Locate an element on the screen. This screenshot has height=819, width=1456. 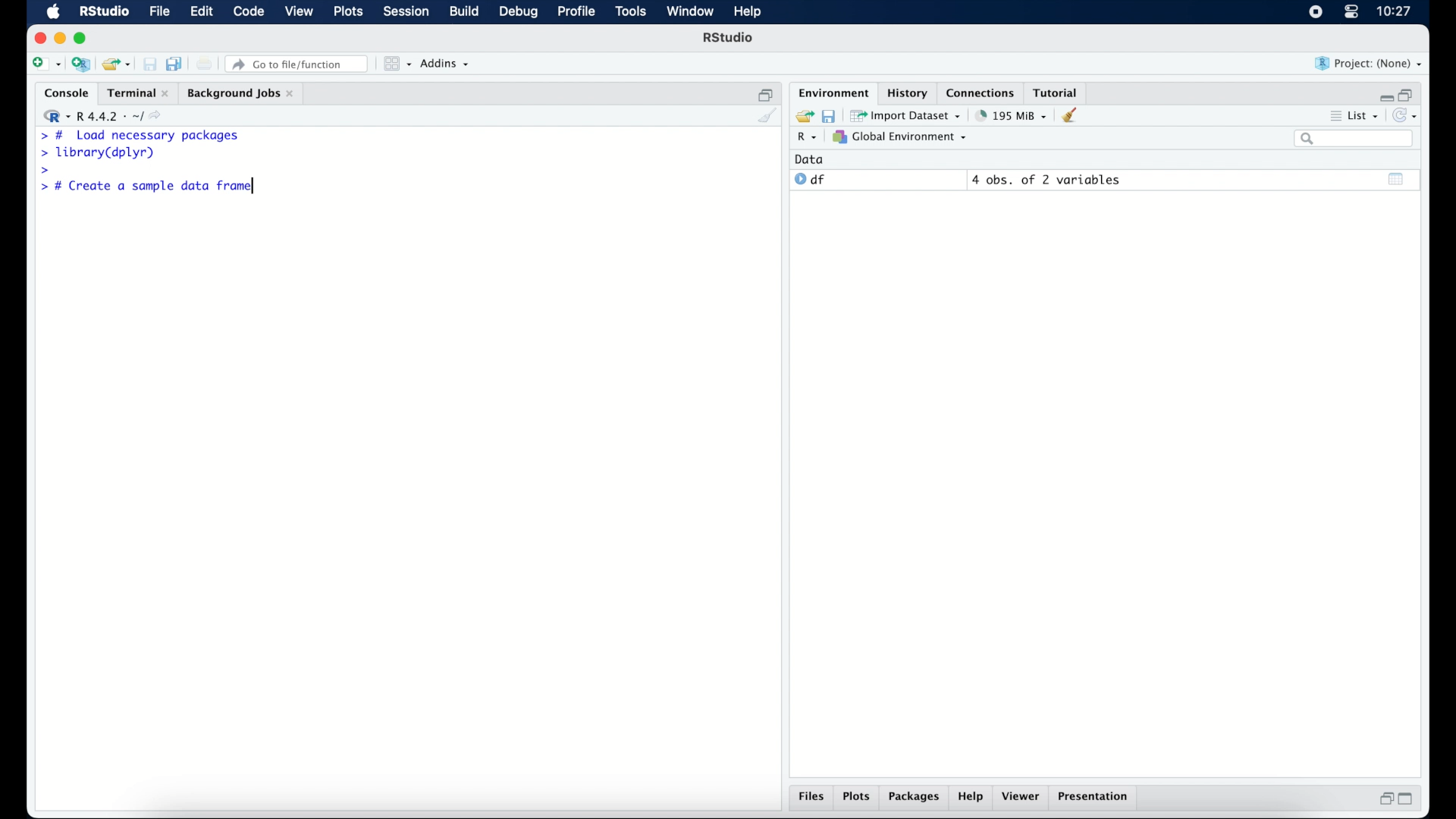
search bar is located at coordinates (1353, 140).